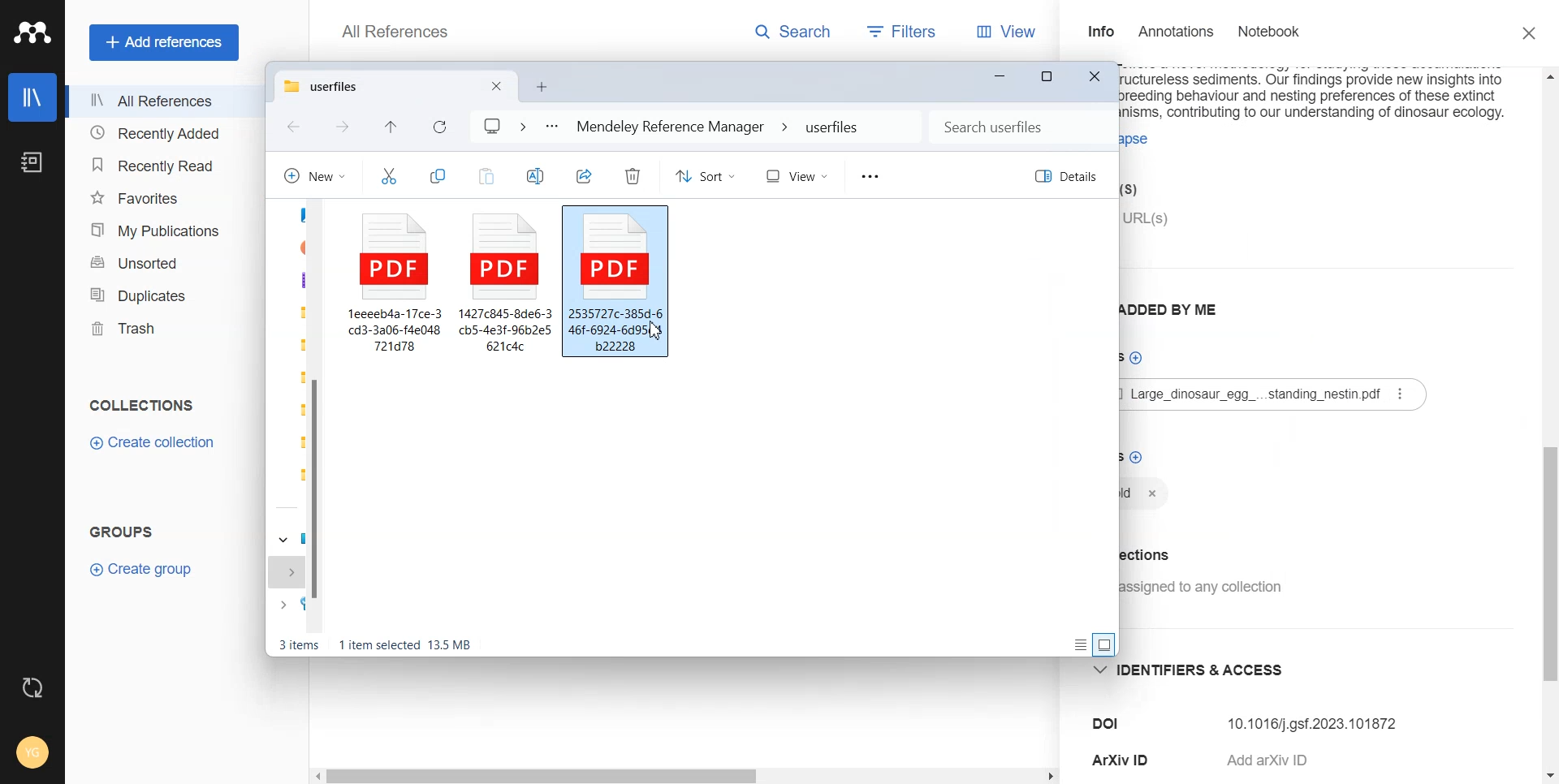 Image resolution: width=1559 pixels, height=784 pixels. I want to click on Create Collection, so click(154, 442).